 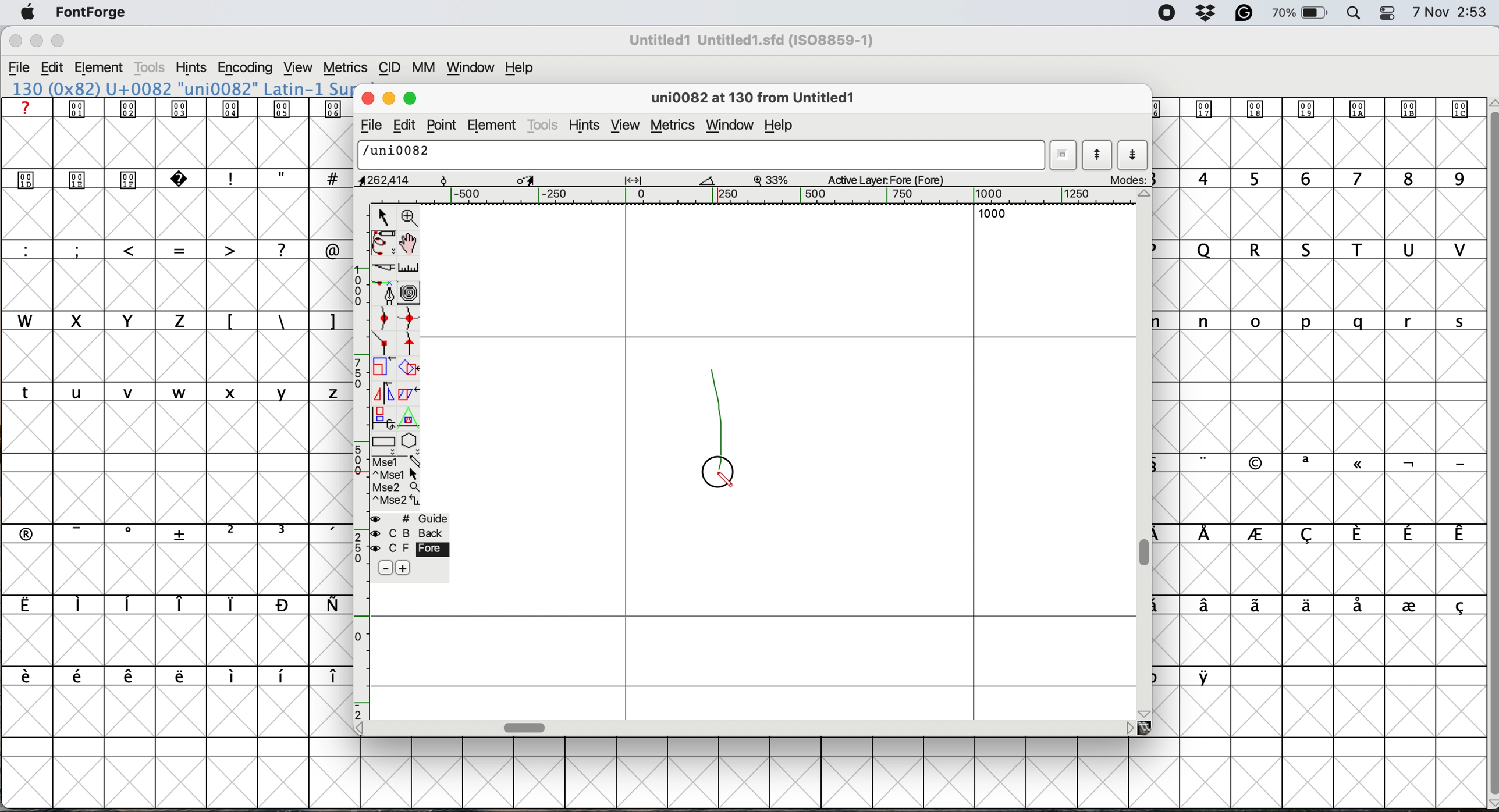 I want to click on flip selection, so click(x=382, y=394).